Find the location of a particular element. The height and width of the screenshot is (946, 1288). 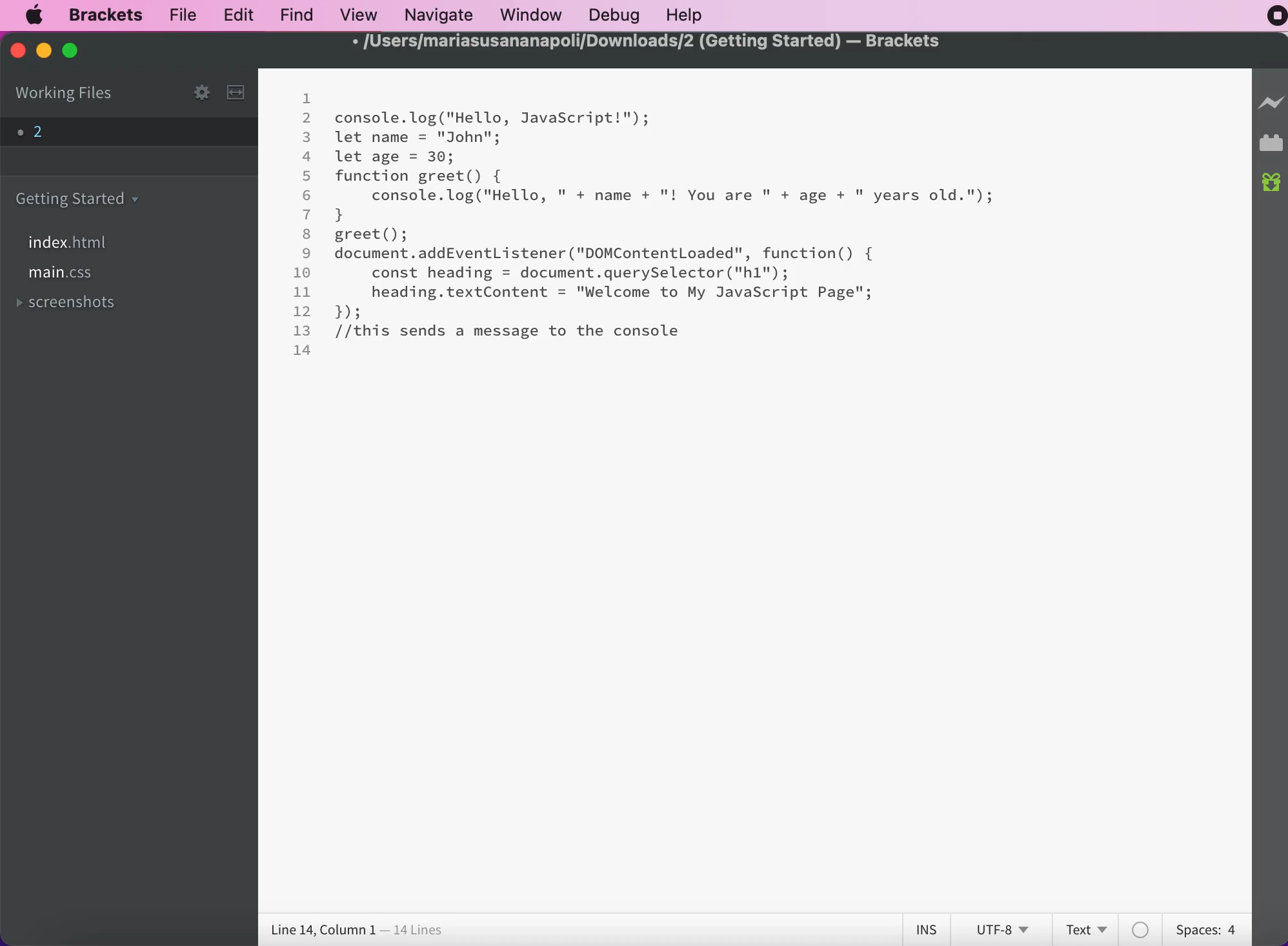

window is located at coordinates (529, 16).